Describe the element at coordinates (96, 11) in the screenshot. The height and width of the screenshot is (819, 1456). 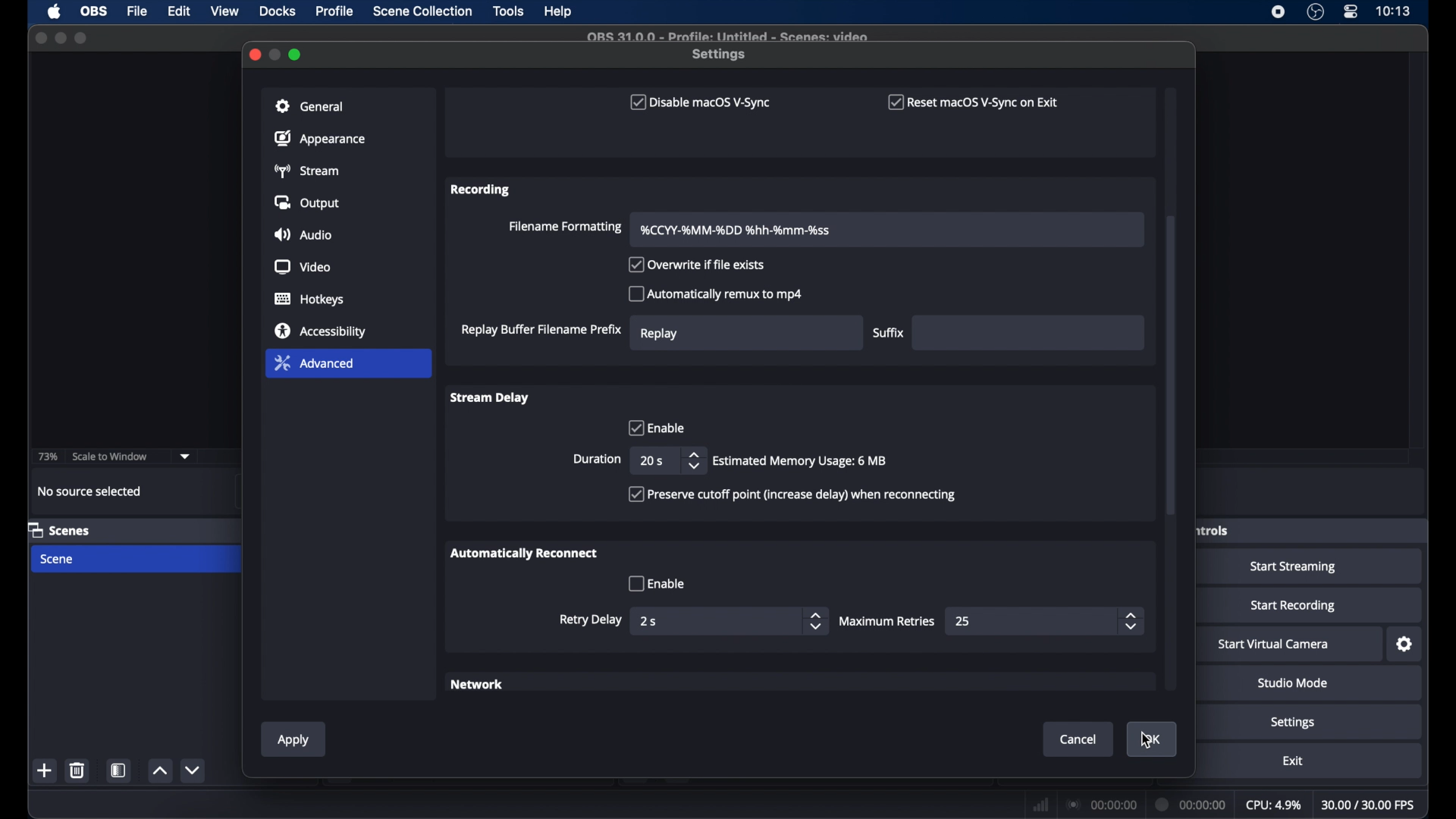
I see `obs` at that location.